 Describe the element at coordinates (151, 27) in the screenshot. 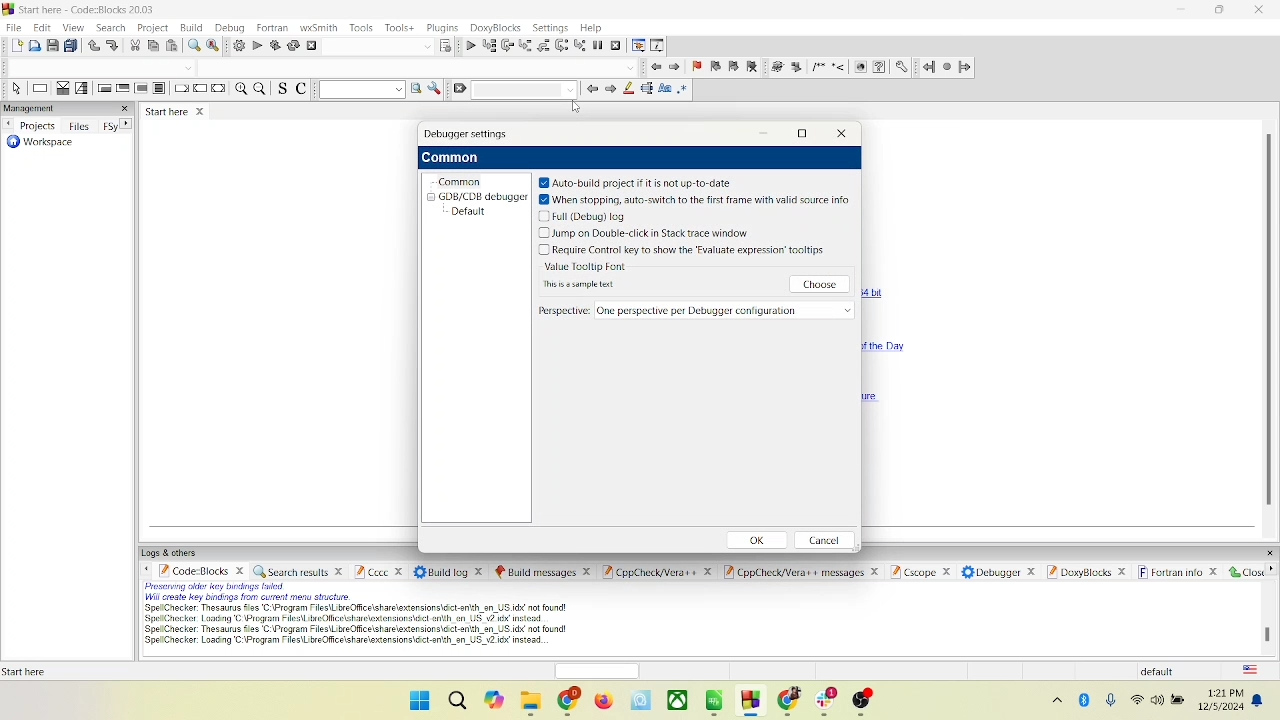

I see `project` at that location.